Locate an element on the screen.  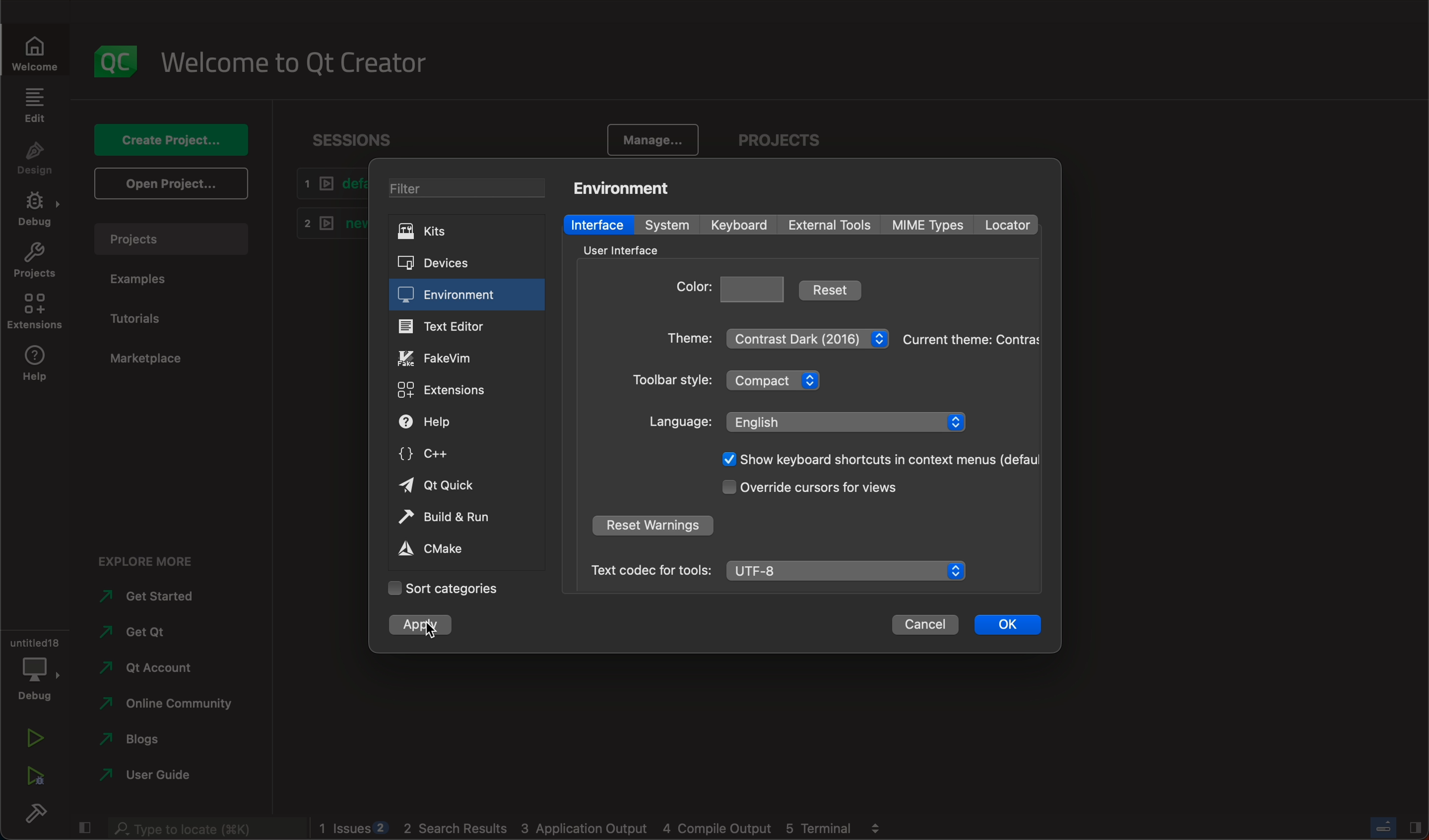
system is located at coordinates (665, 224).